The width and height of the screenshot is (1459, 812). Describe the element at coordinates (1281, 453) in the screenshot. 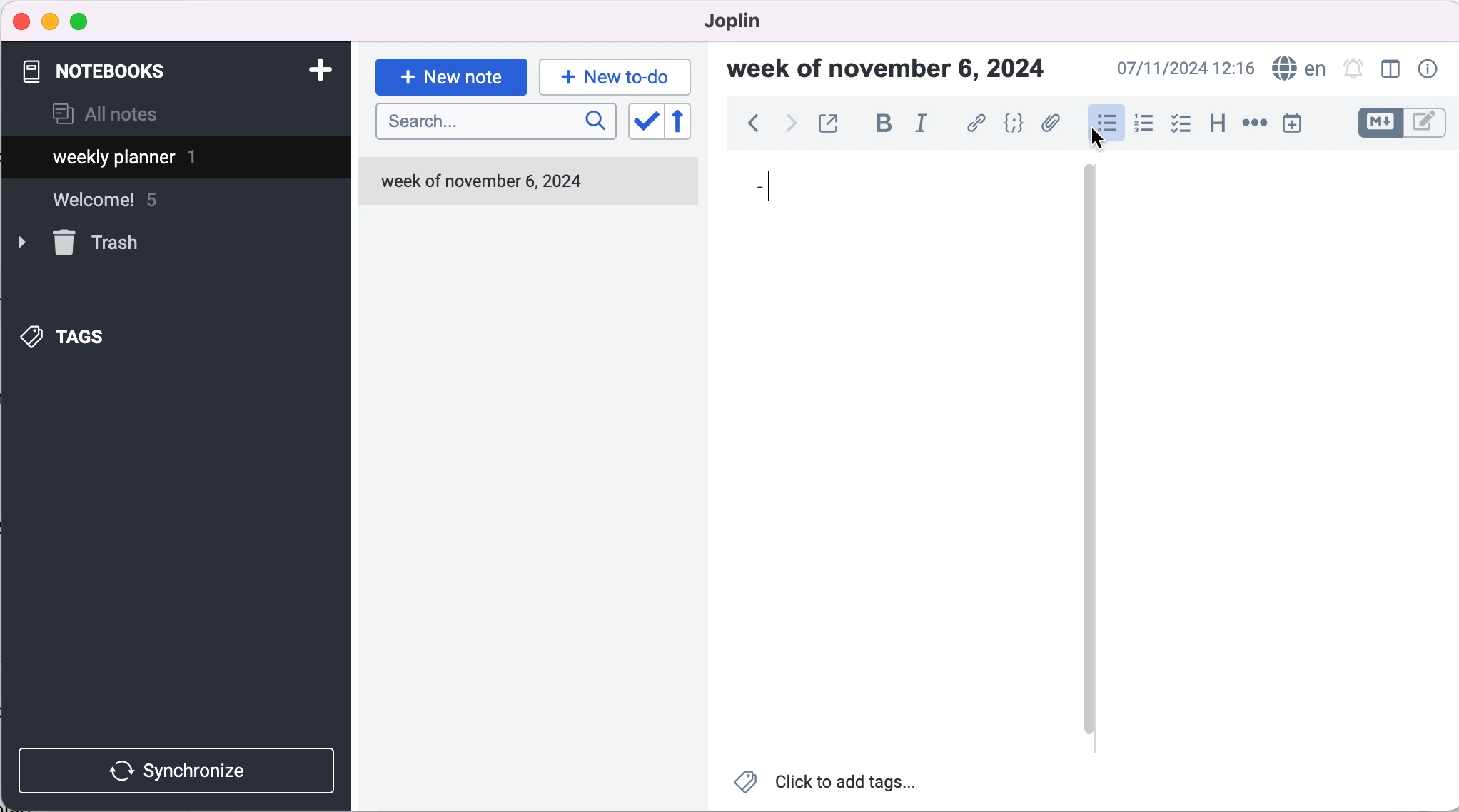

I see `blank canvas` at that location.